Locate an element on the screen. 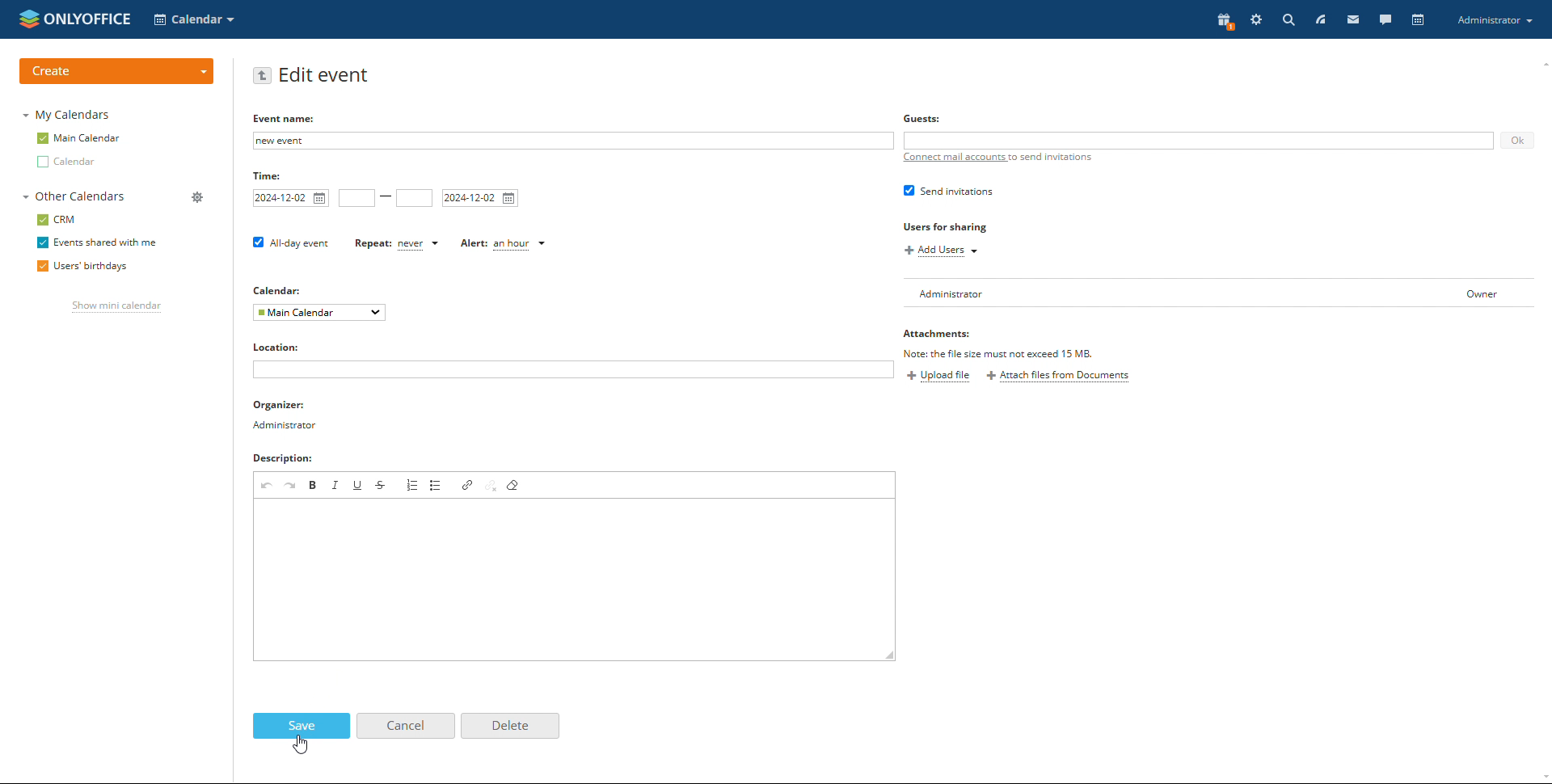 The height and width of the screenshot is (784, 1552). create is located at coordinates (116, 72).